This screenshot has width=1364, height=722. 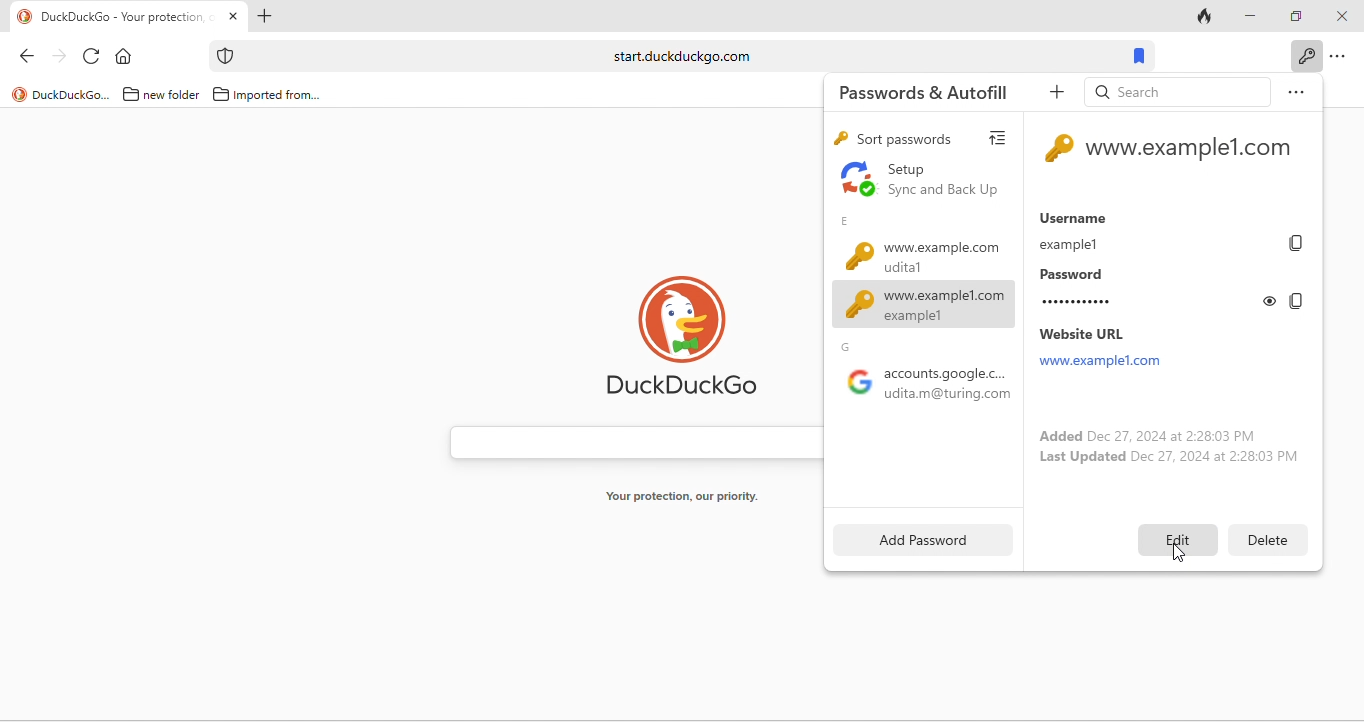 I want to click on cursor, so click(x=1179, y=555).